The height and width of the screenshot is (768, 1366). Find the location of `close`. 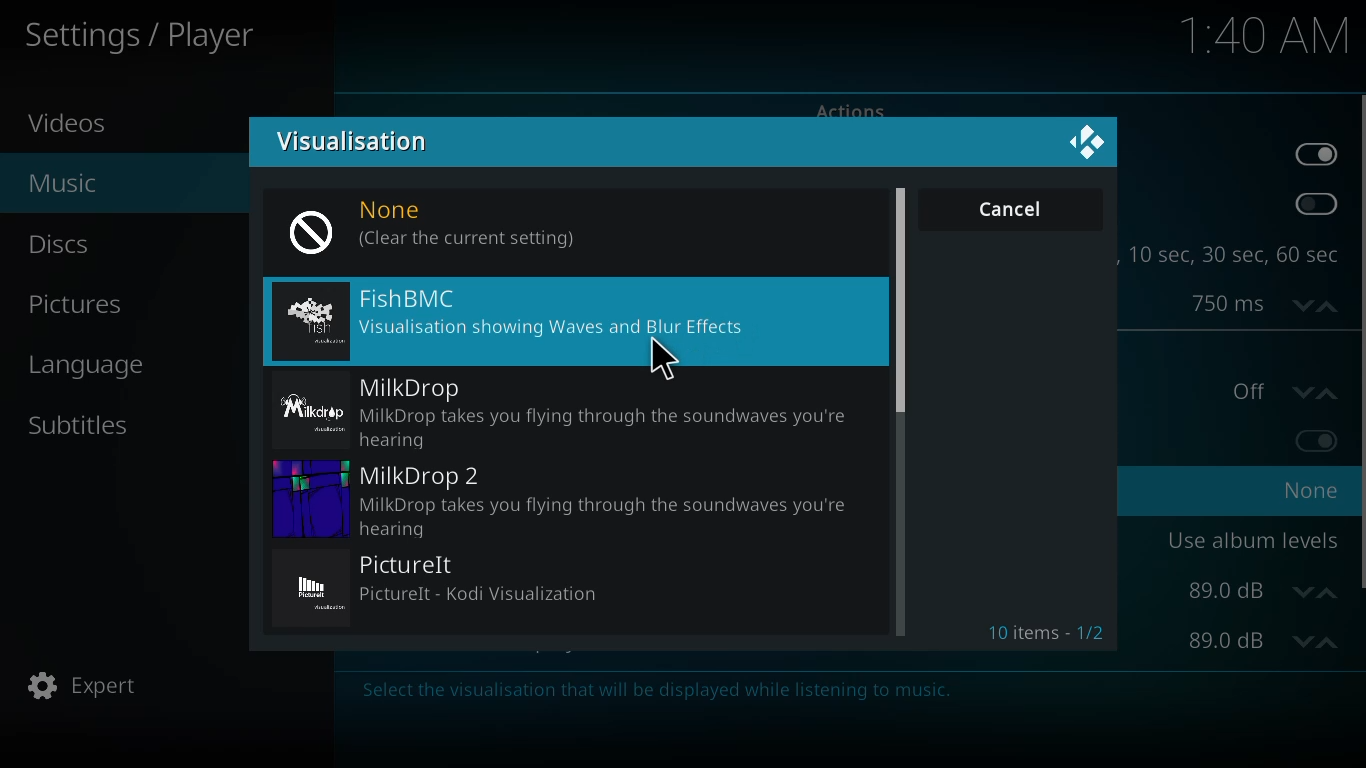

close is located at coordinates (1085, 147).